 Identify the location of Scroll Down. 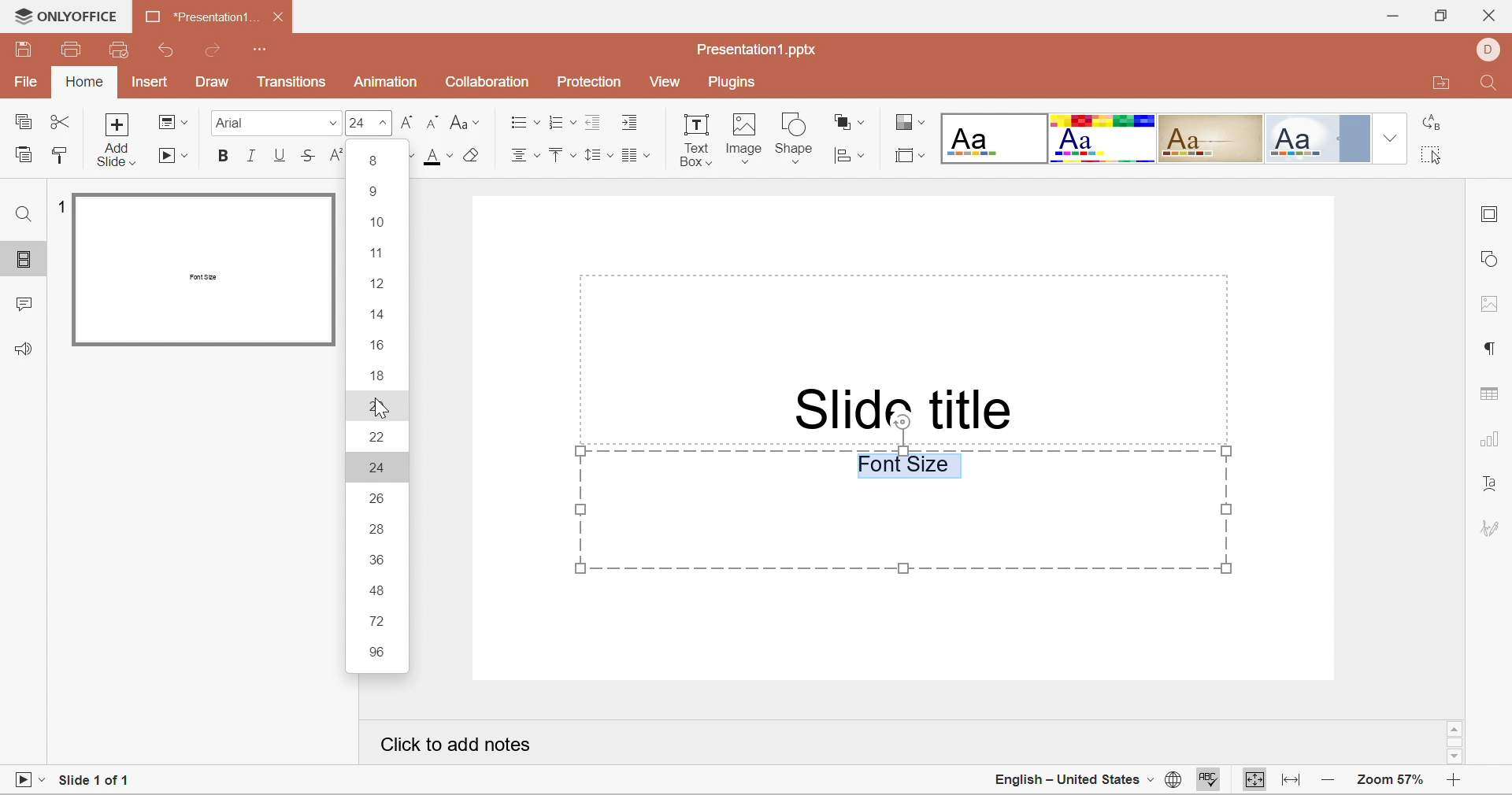
(1458, 757).